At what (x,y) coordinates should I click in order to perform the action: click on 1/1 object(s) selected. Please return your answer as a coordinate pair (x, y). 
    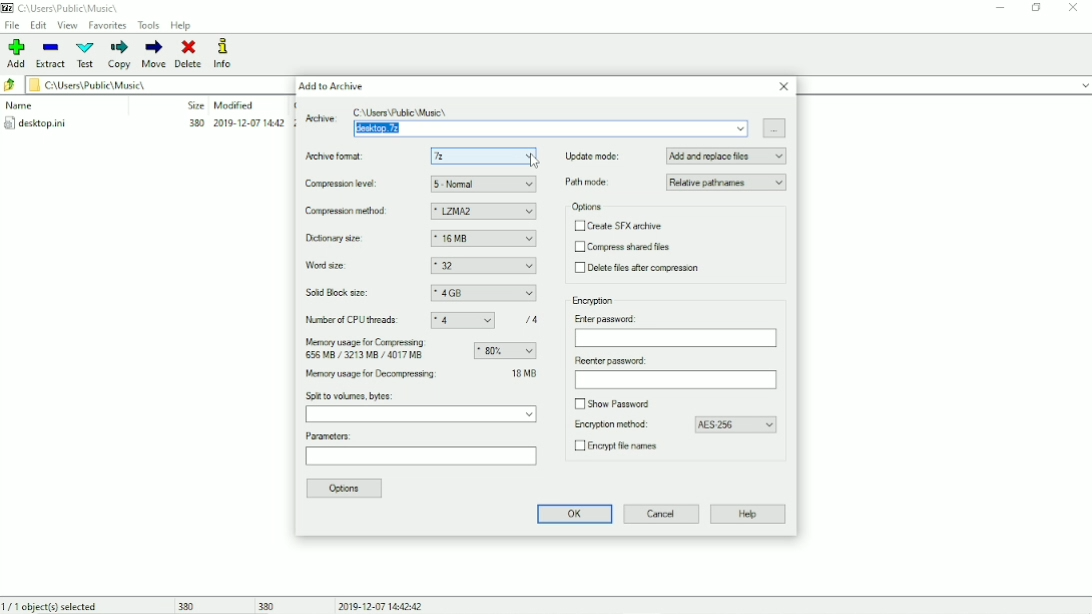
    Looking at the image, I should click on (55, 605).